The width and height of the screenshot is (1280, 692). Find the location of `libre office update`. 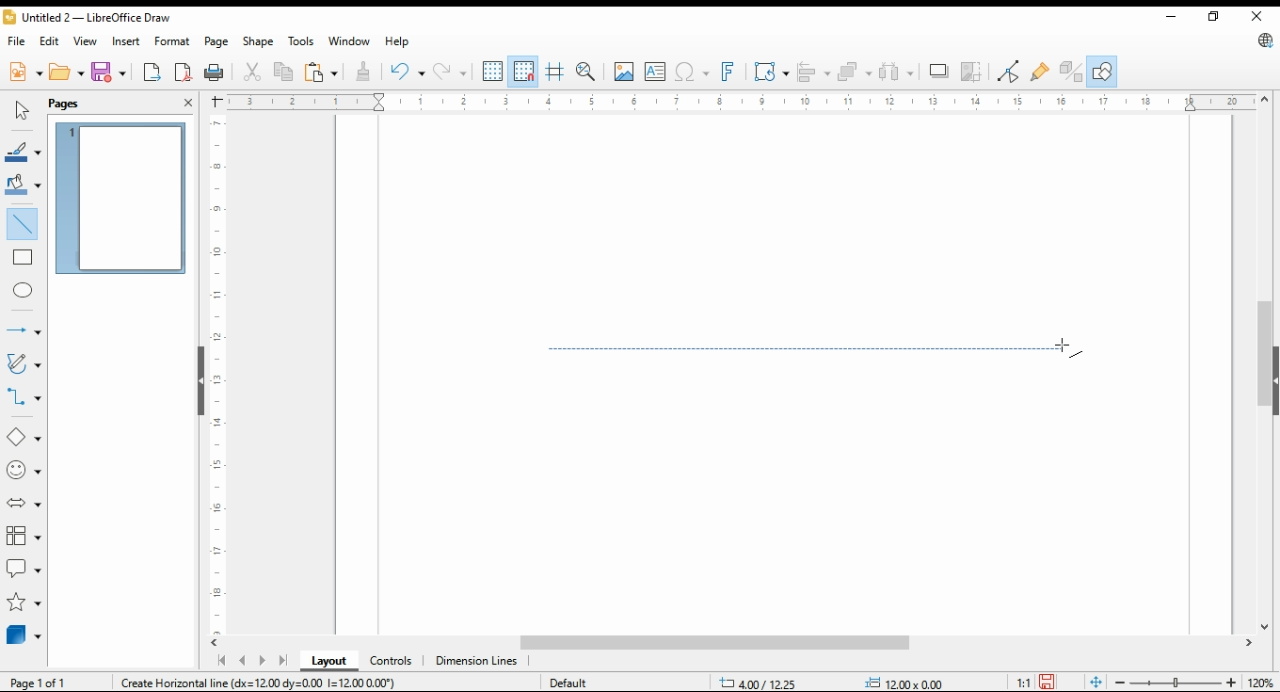

libre office update is located at coordinates (1264, 40).